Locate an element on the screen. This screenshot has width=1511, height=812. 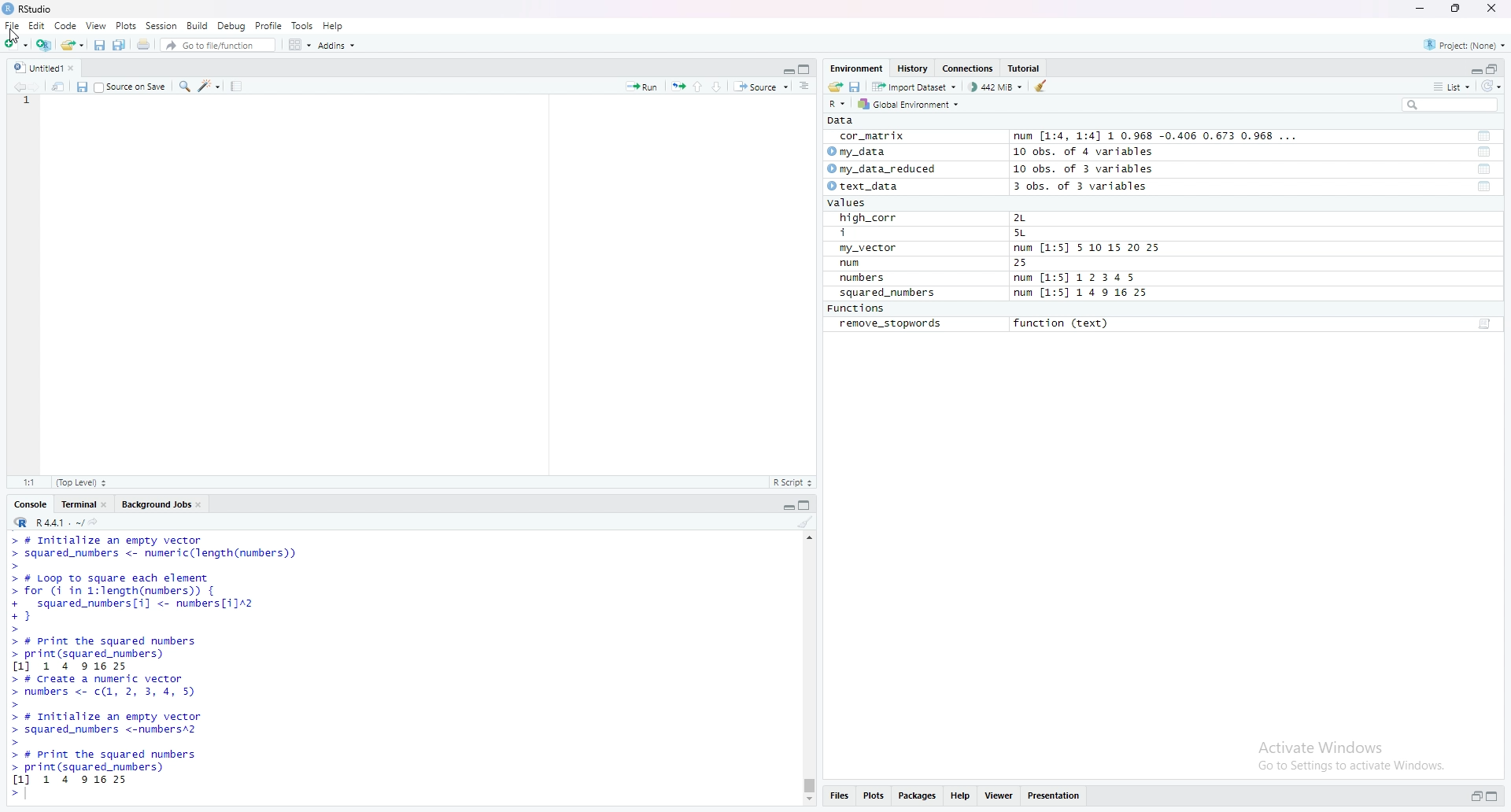
view is located at coordinates (94, 25).